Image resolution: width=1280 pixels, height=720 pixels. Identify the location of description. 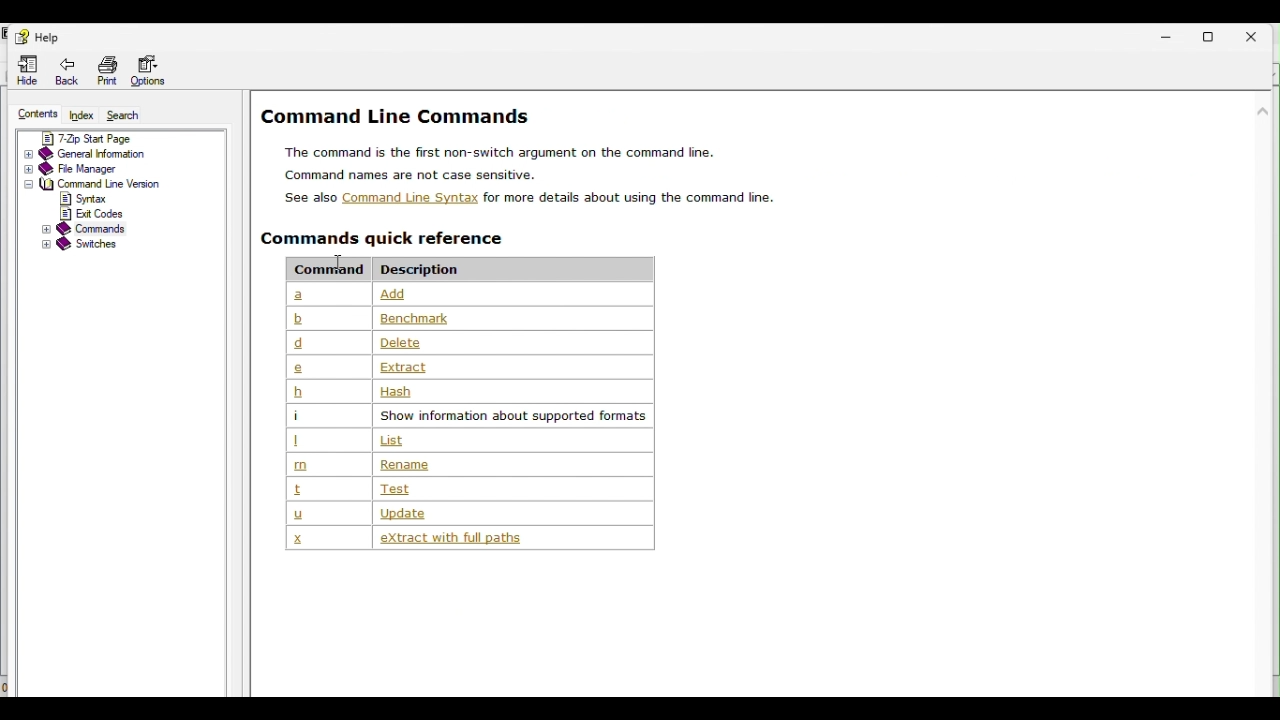
(426, 268).